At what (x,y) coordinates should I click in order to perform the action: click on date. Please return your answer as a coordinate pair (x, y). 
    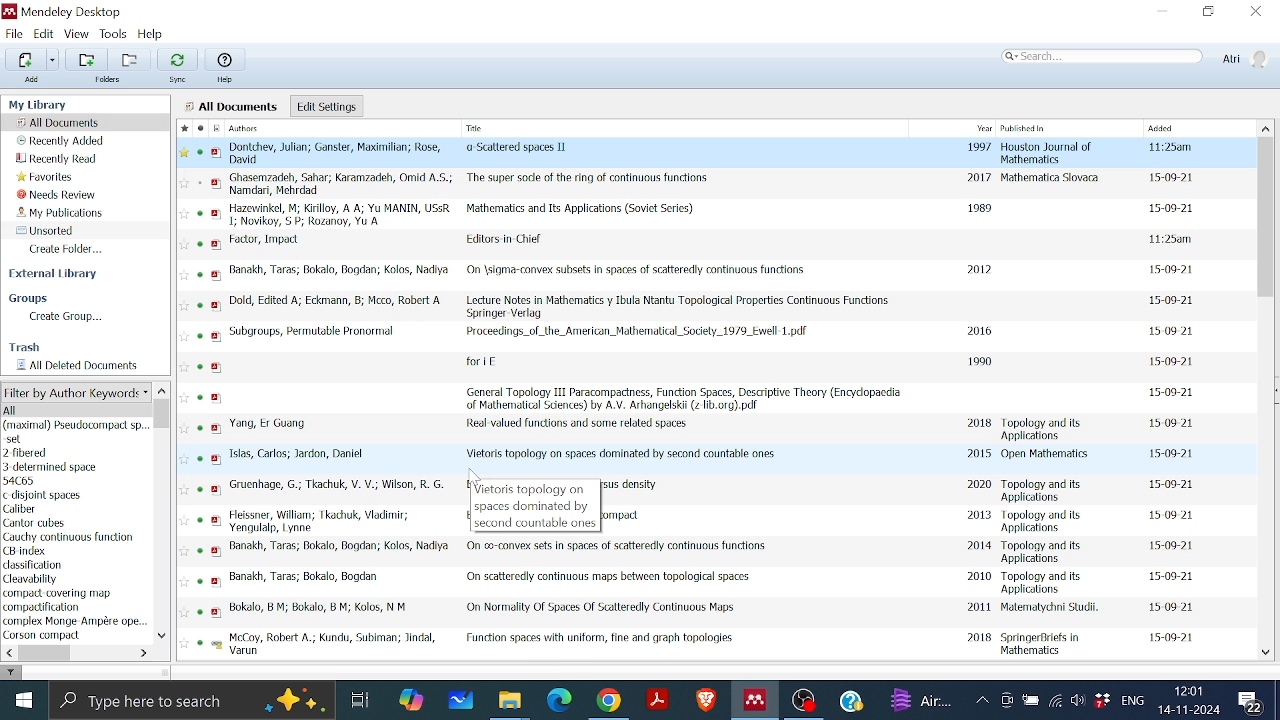
    Looking at the image, I should click on (1172, 392).